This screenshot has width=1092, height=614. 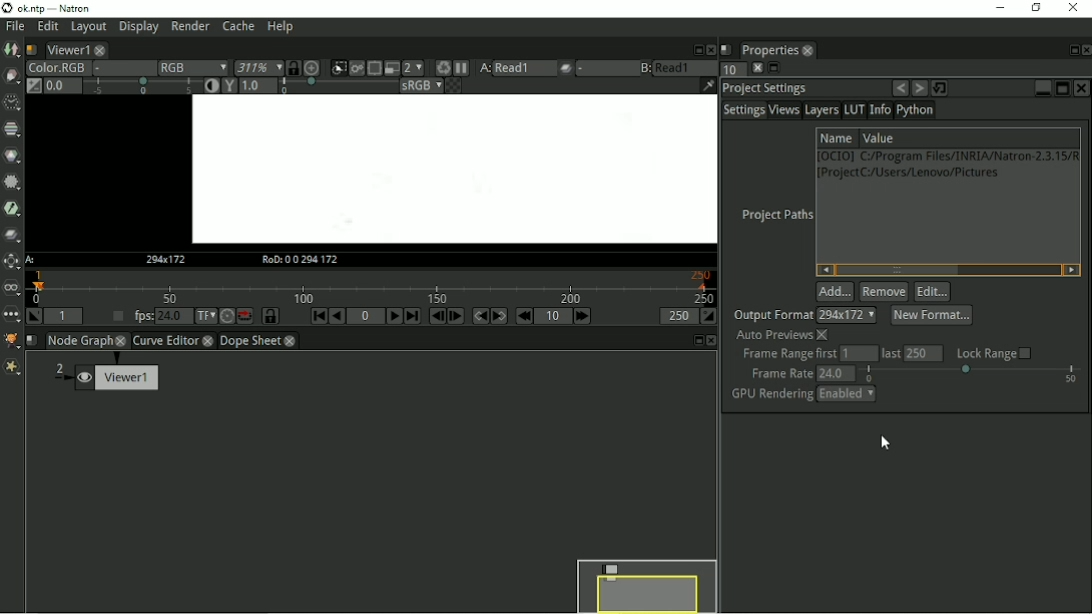 What do you see at coordinates (899, 88) in the screenshot?
I see `Undo` at bounding box center [899, 88].